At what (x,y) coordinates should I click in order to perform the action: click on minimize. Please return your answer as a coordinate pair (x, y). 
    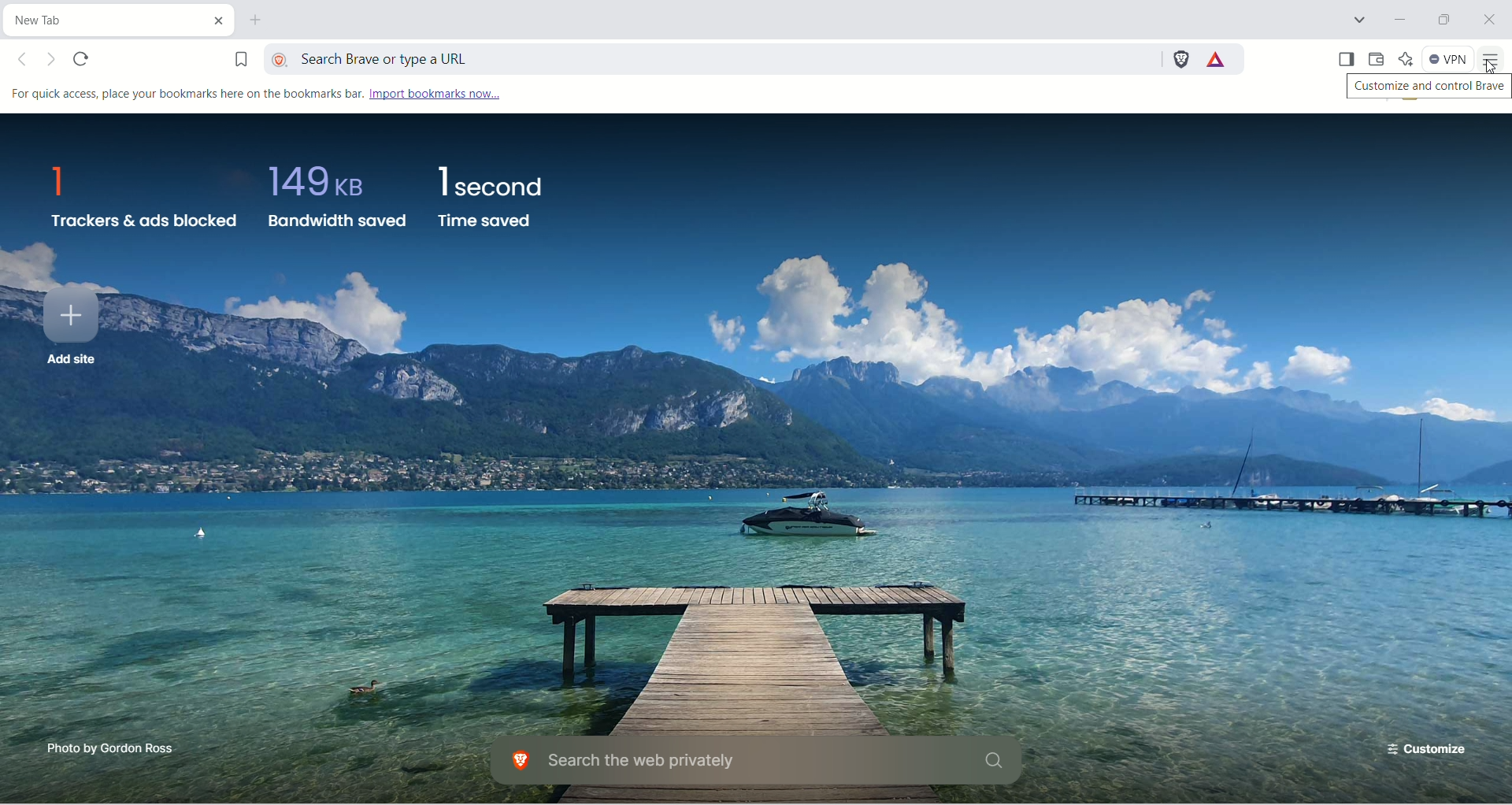
    Looking at the image, I should click on (1395, 18).